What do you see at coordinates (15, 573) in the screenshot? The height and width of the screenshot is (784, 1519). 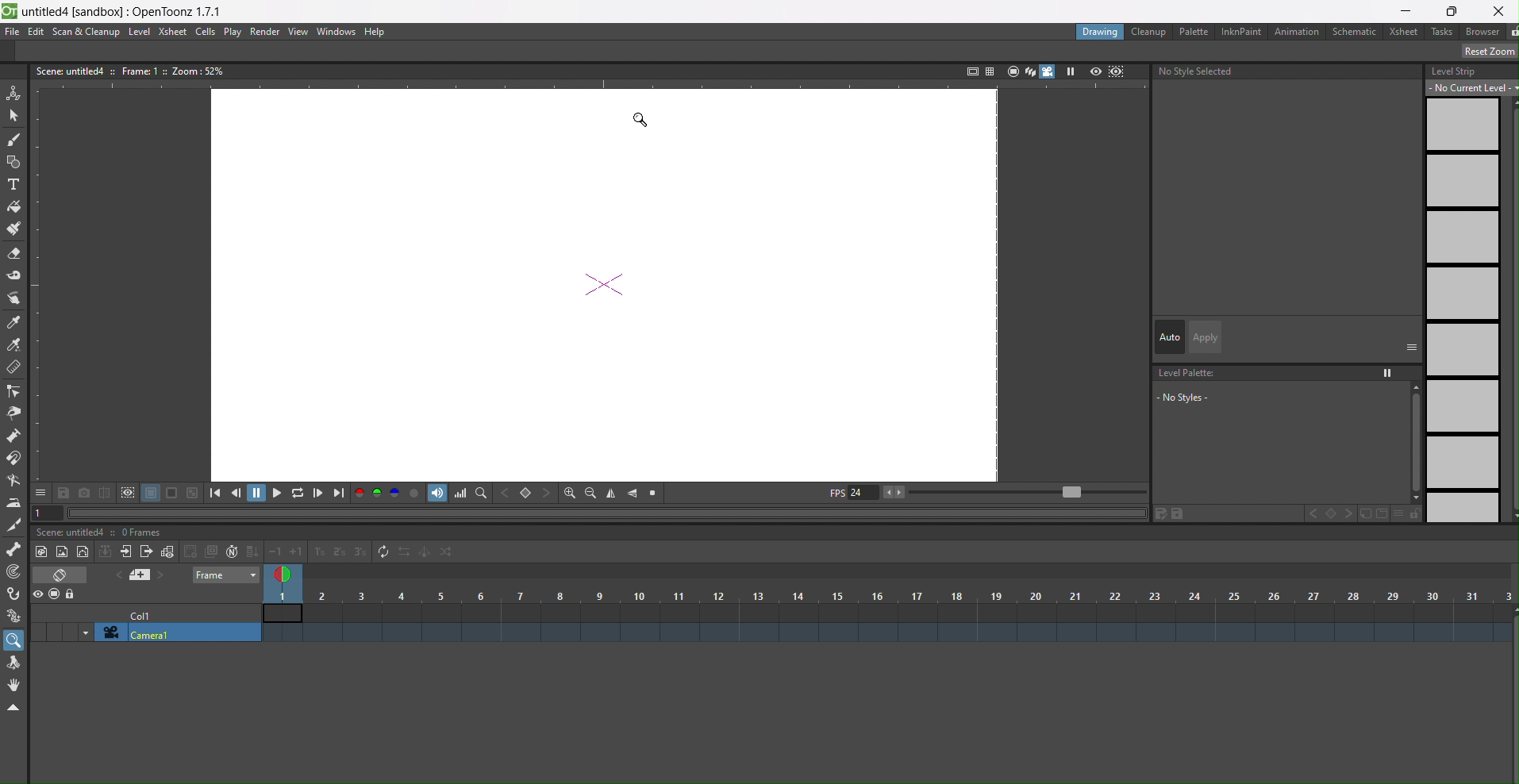 I see `tracker tool` at bounding box center [15, 573].